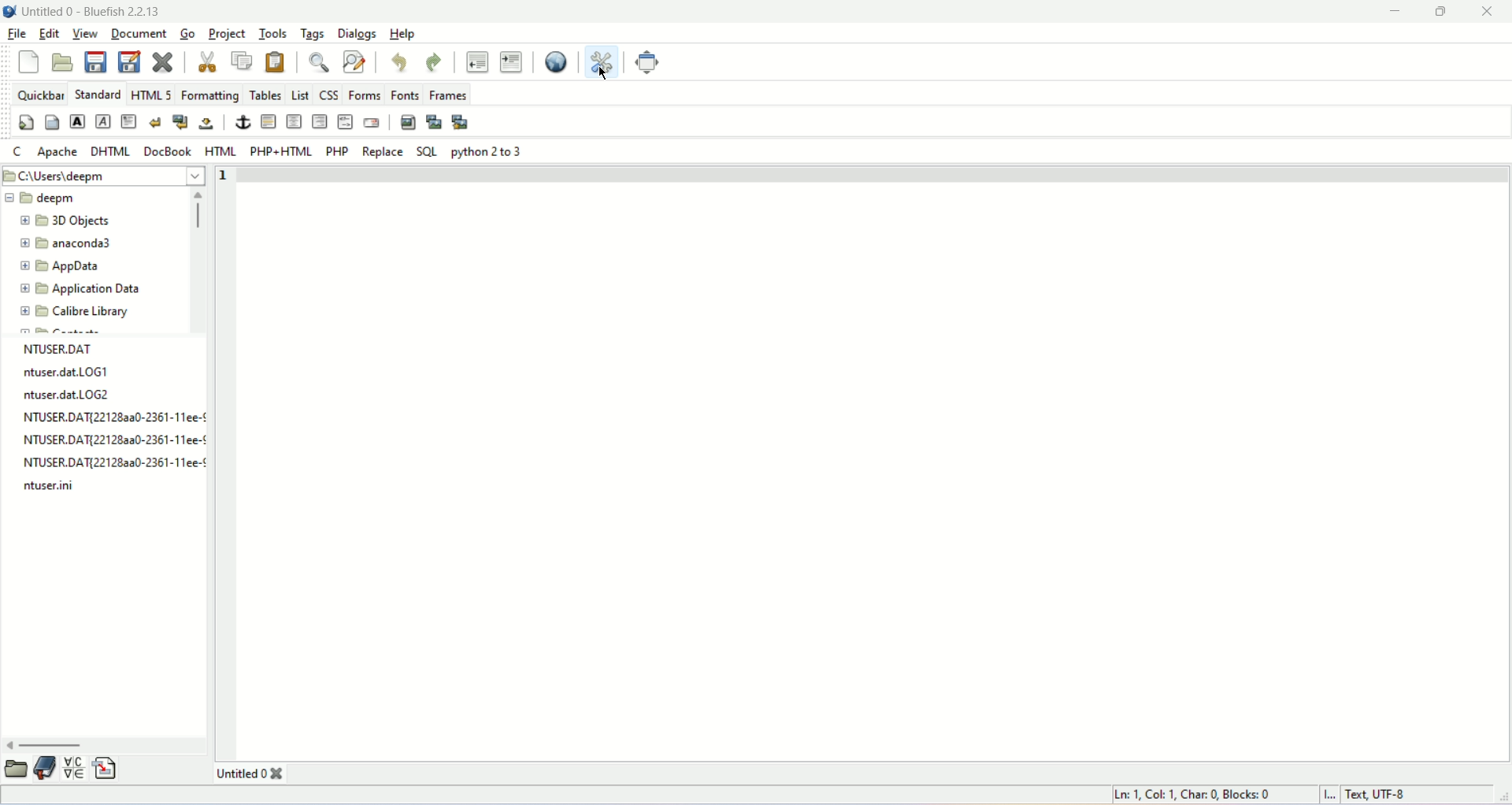 The image size is (1512, 805). Describe the element at coordinates (40, 93) in the screenshot. I see `quickbar` at that location.